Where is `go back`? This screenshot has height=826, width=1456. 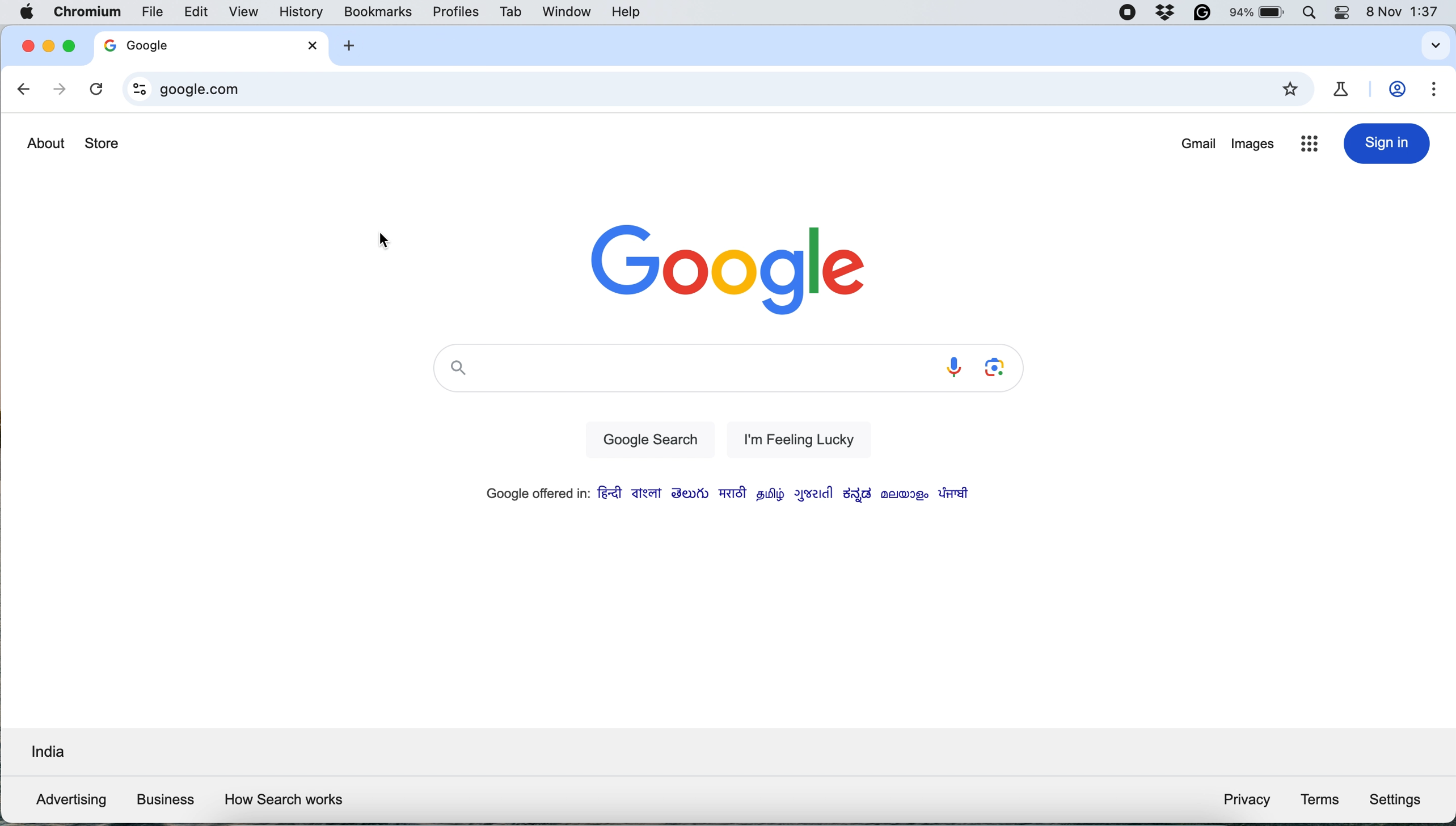 go back is located at coordinates (25, 91).